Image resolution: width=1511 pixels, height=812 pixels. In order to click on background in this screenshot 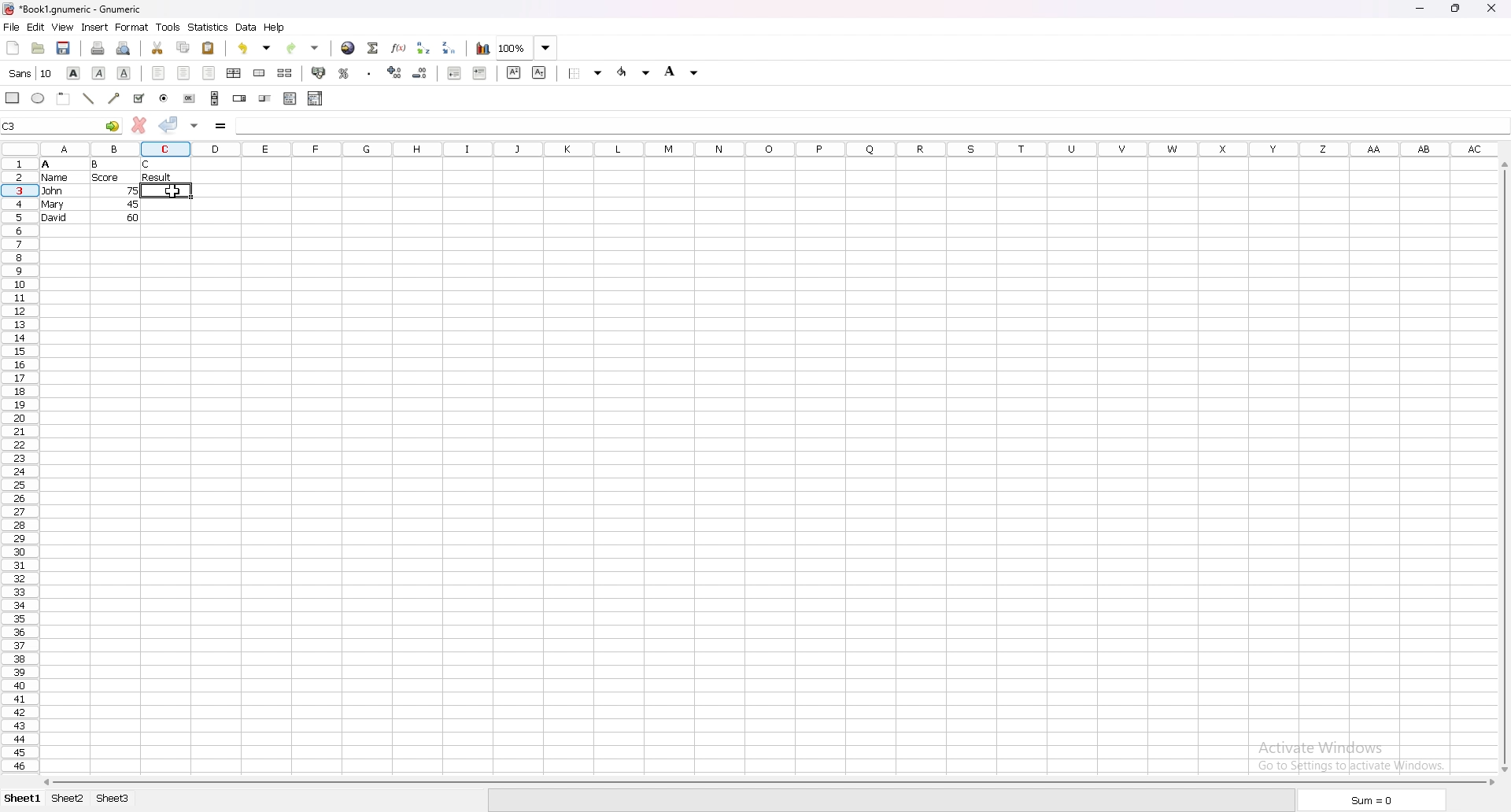, I will do `click(685, 72)`.